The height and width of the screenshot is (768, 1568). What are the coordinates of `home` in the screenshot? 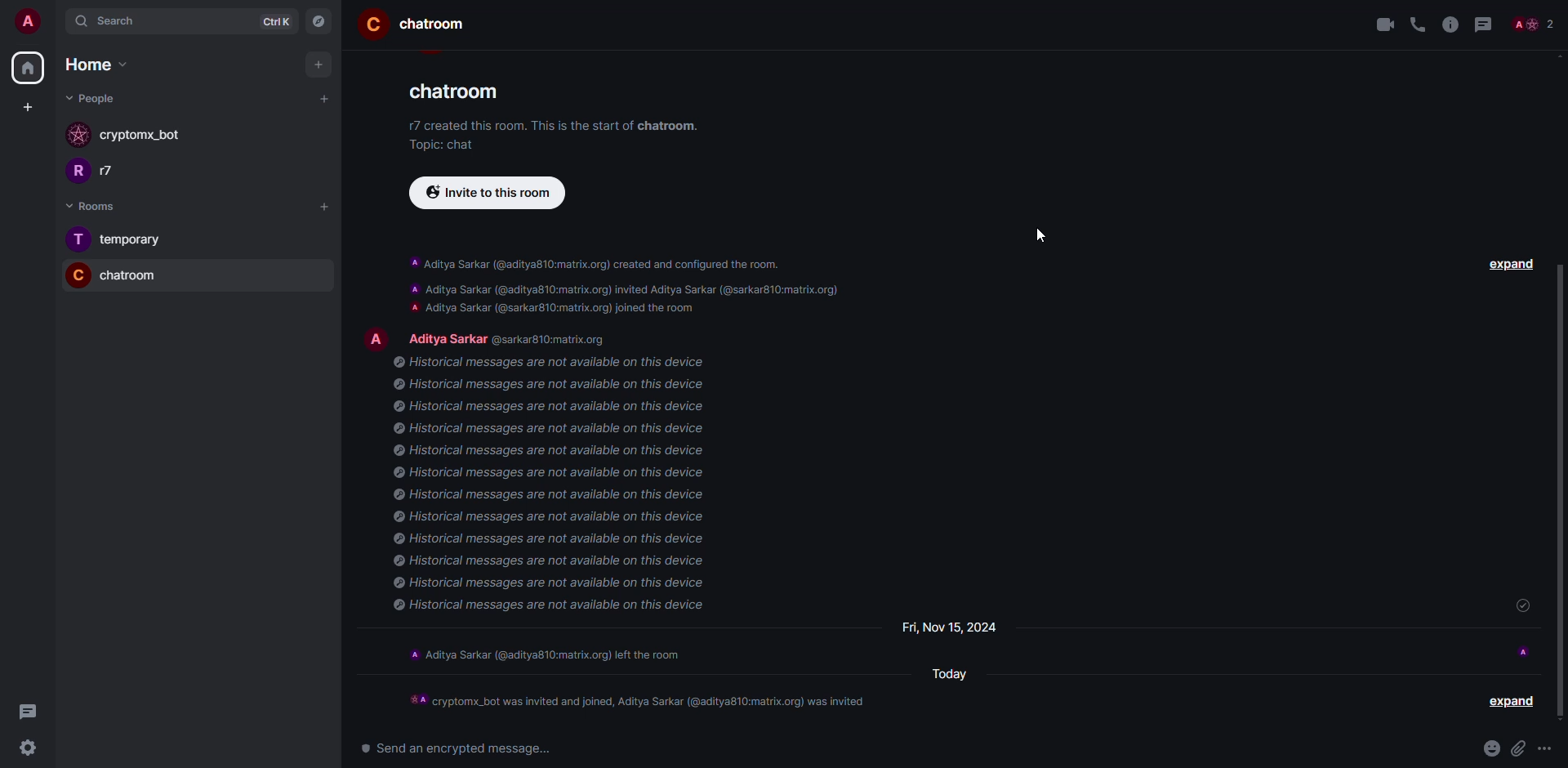 It's located at (88, 65).